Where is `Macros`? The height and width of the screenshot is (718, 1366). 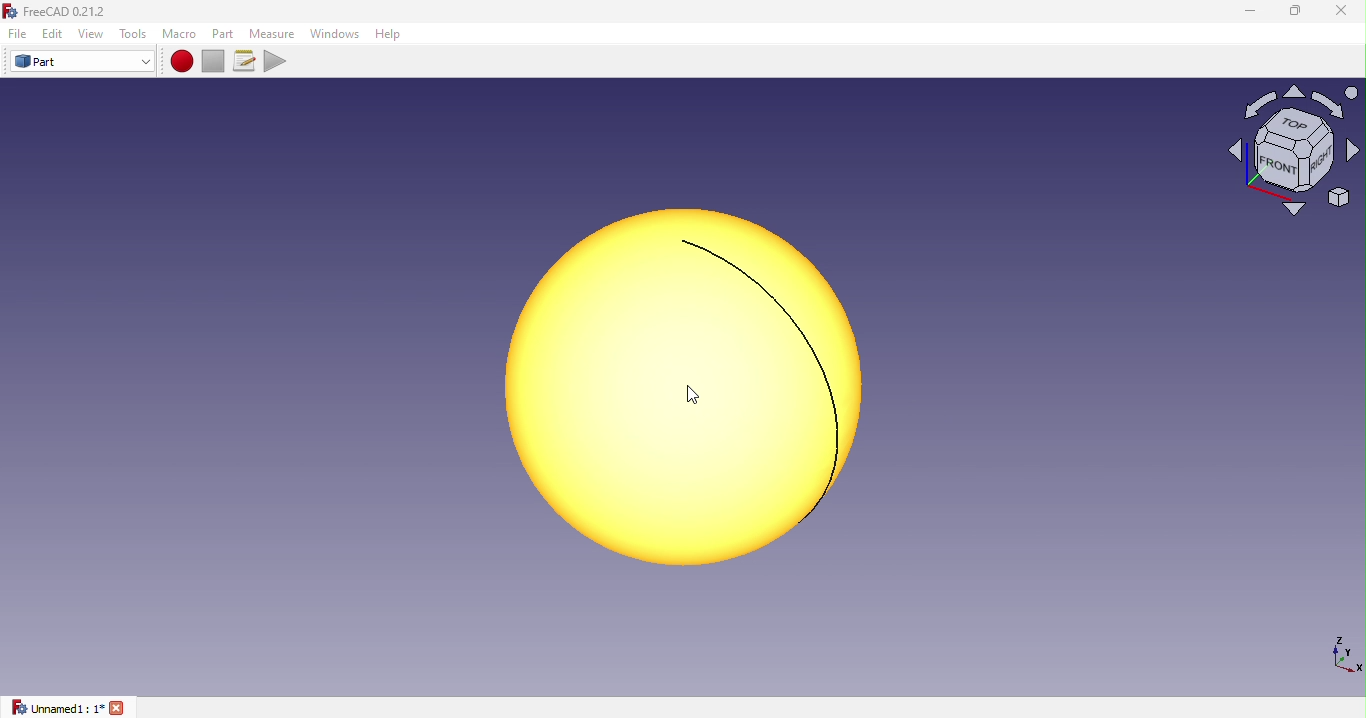
Macros is located at coordinates (247, 61).